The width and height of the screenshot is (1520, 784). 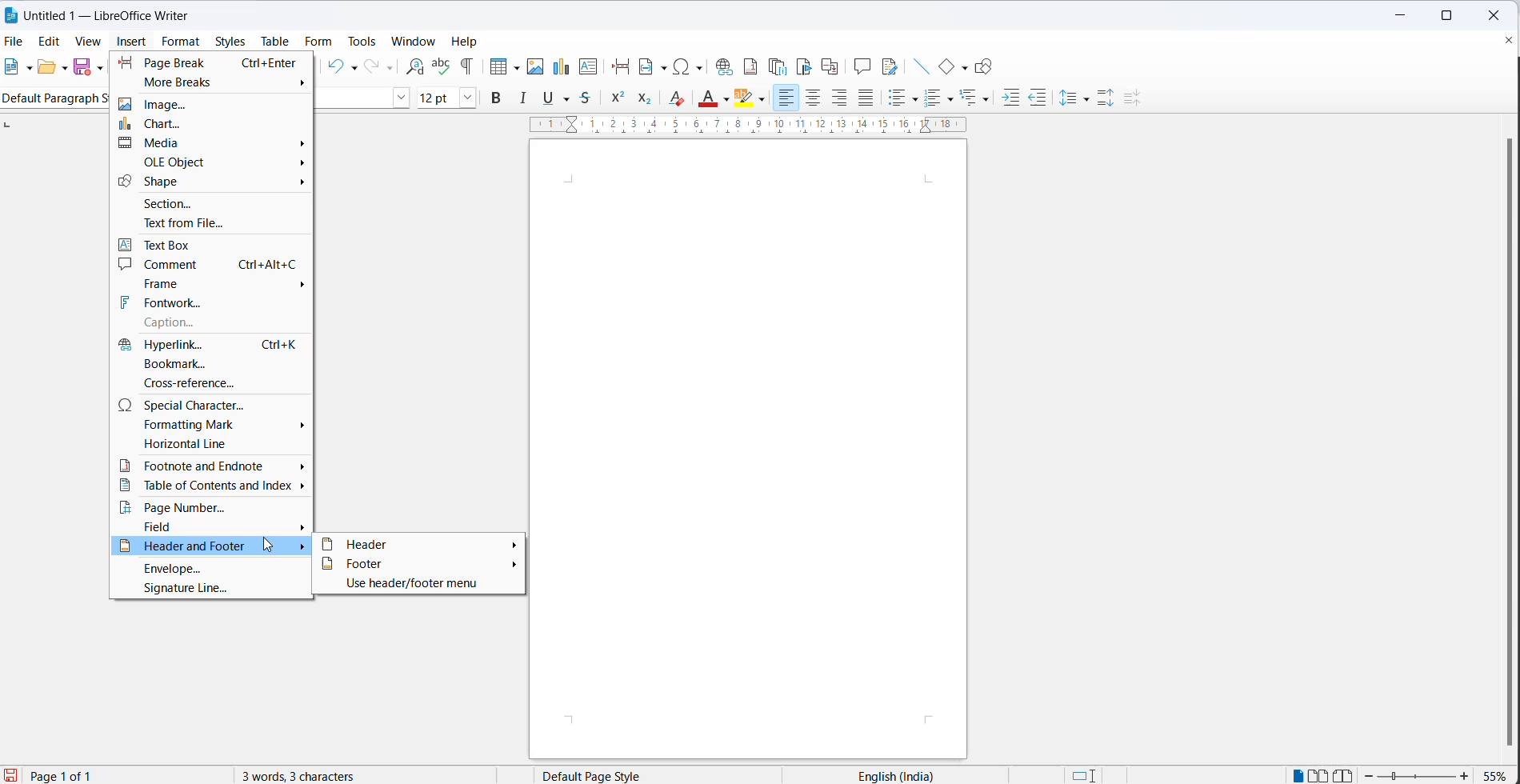 What do you see at coordinates (16, 40) in the screenshot?
I see `file` at bounding box center [16, 40].